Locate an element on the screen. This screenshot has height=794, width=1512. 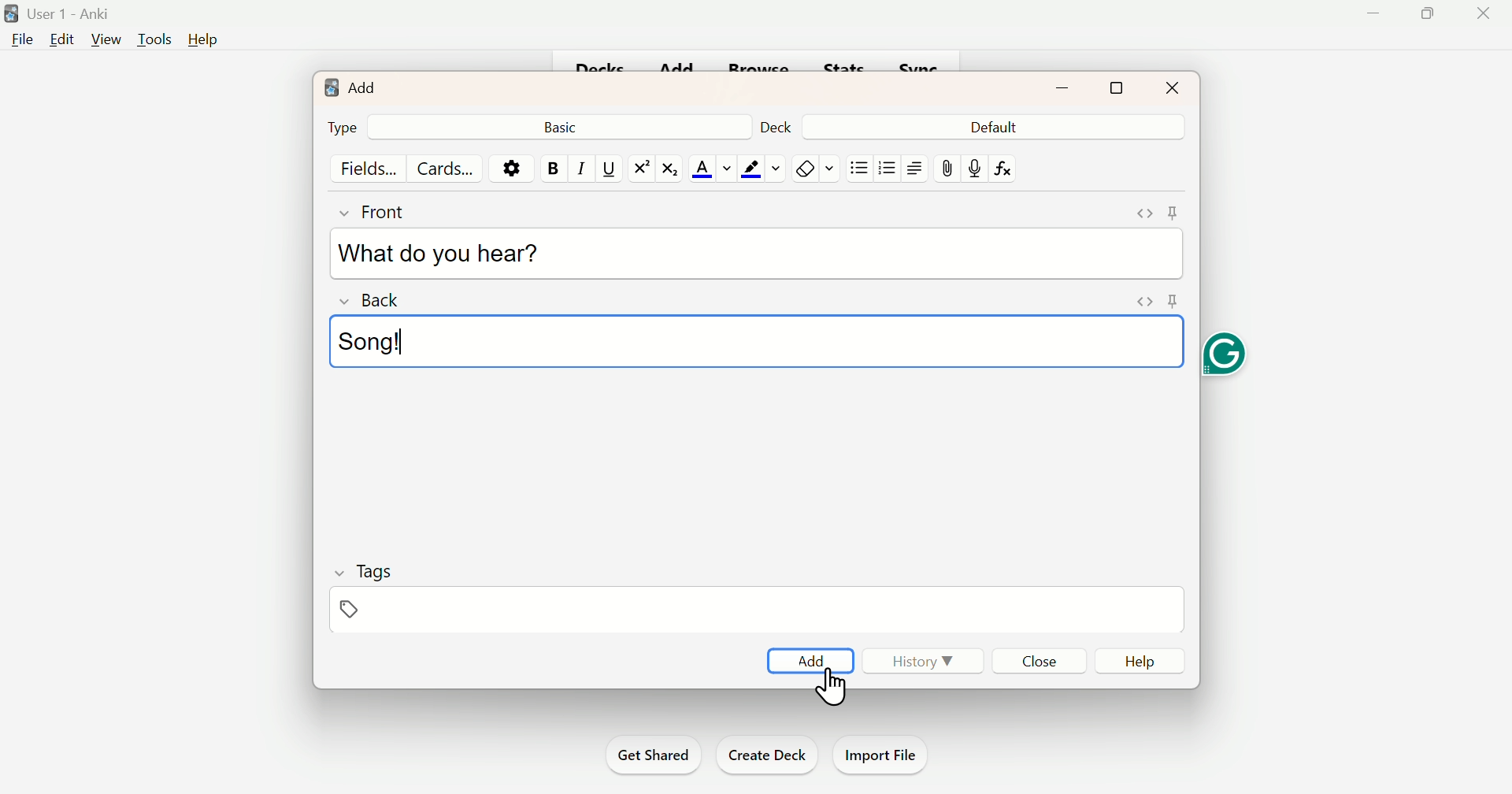
pin is located at coordinates (944, 167).